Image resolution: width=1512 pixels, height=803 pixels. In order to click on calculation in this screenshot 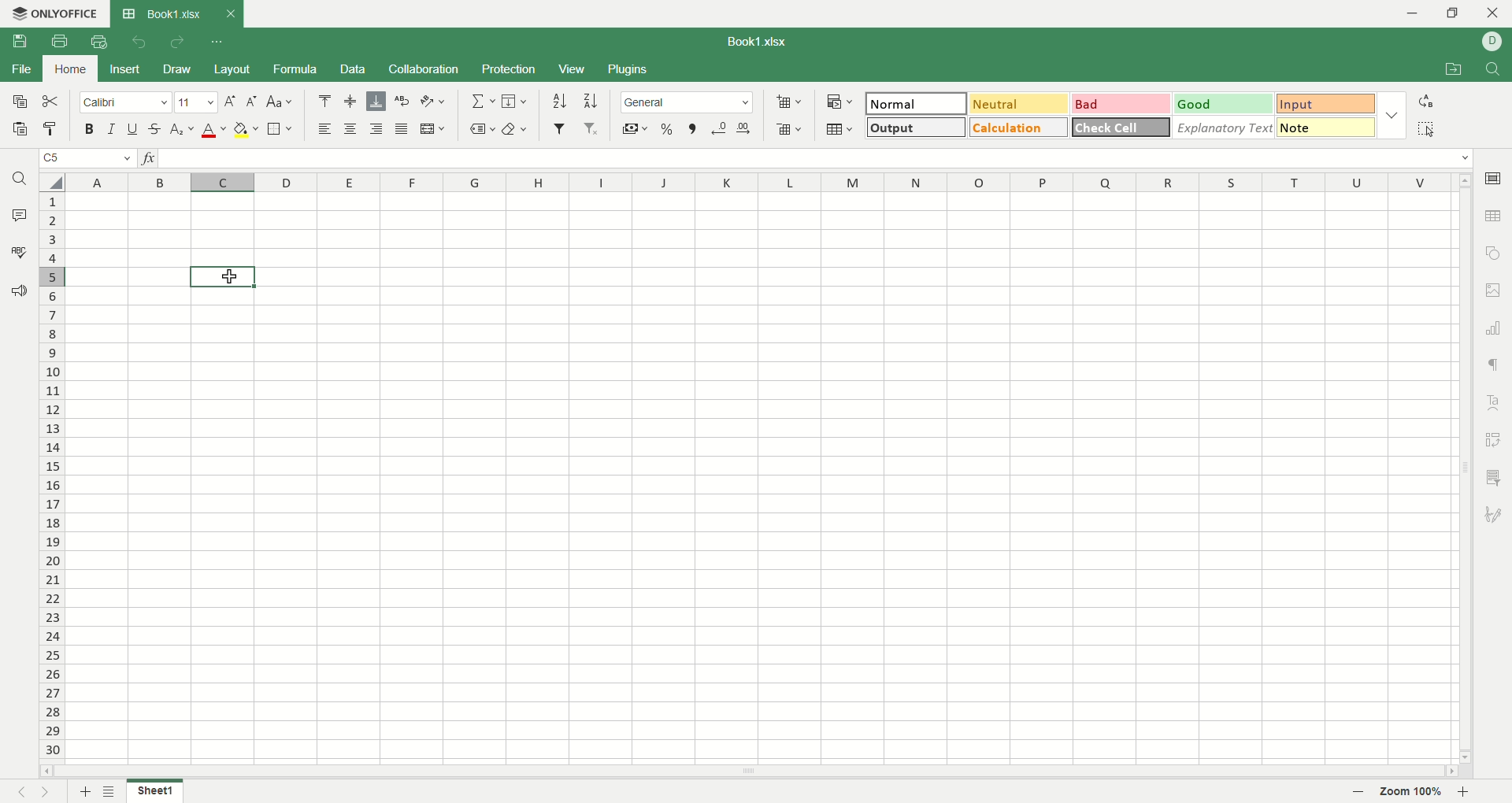, I will do `click(1019, 127)`.